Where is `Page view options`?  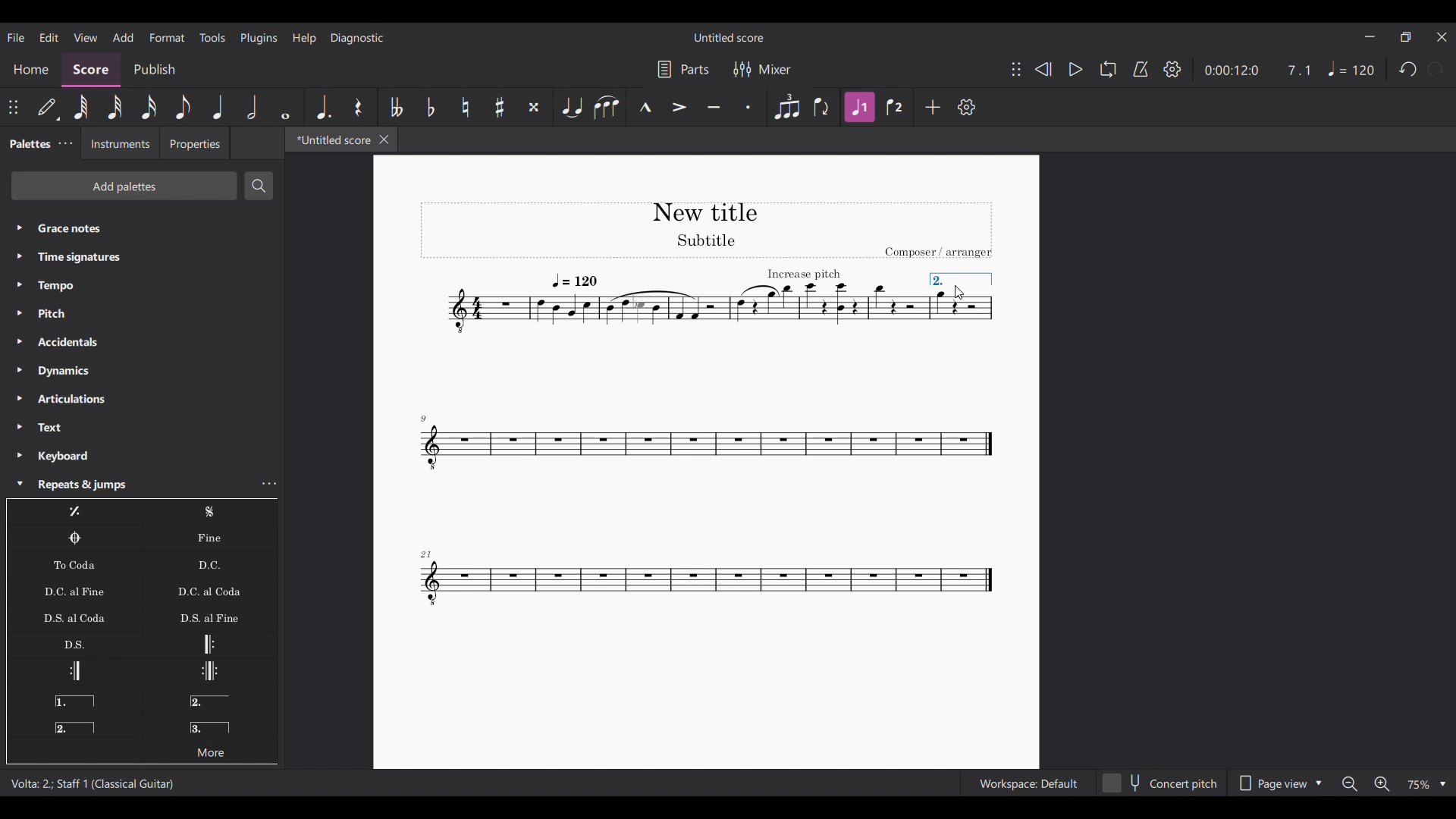
Page view options is located at coordinates (1279, 783).